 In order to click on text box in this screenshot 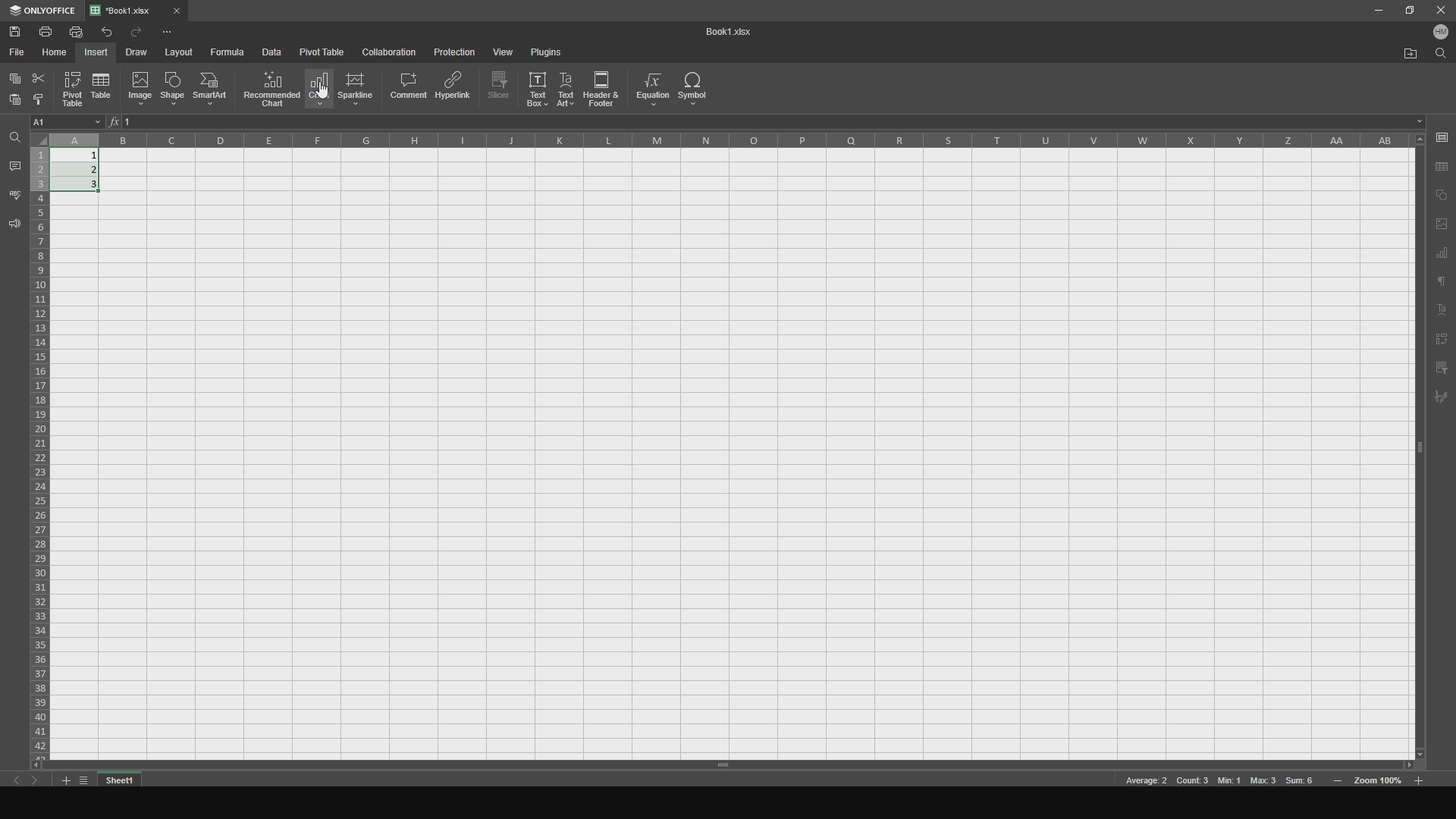, I will do `click(534, 92)`.